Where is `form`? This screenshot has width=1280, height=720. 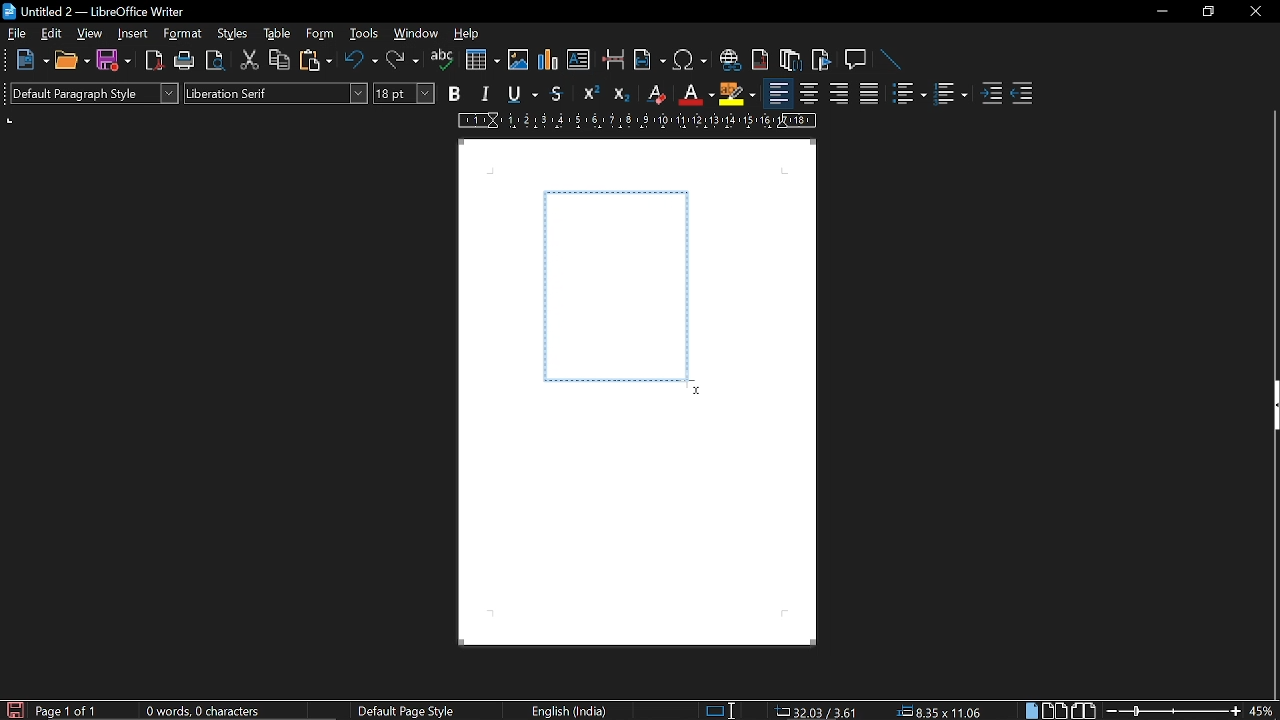 form is located at coordinates (321, 35).